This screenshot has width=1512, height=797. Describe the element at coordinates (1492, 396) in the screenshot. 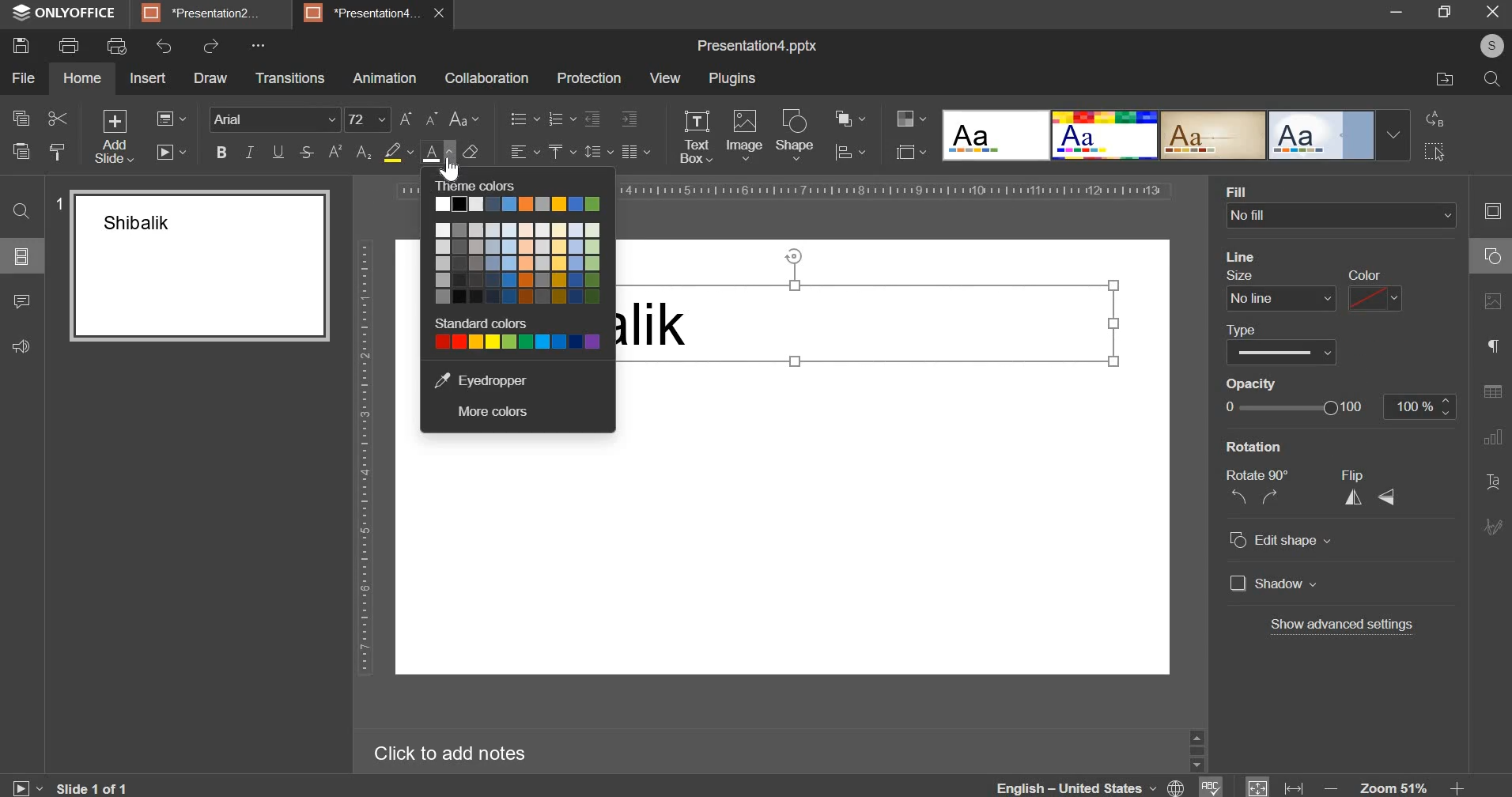

I see `table` at that location.